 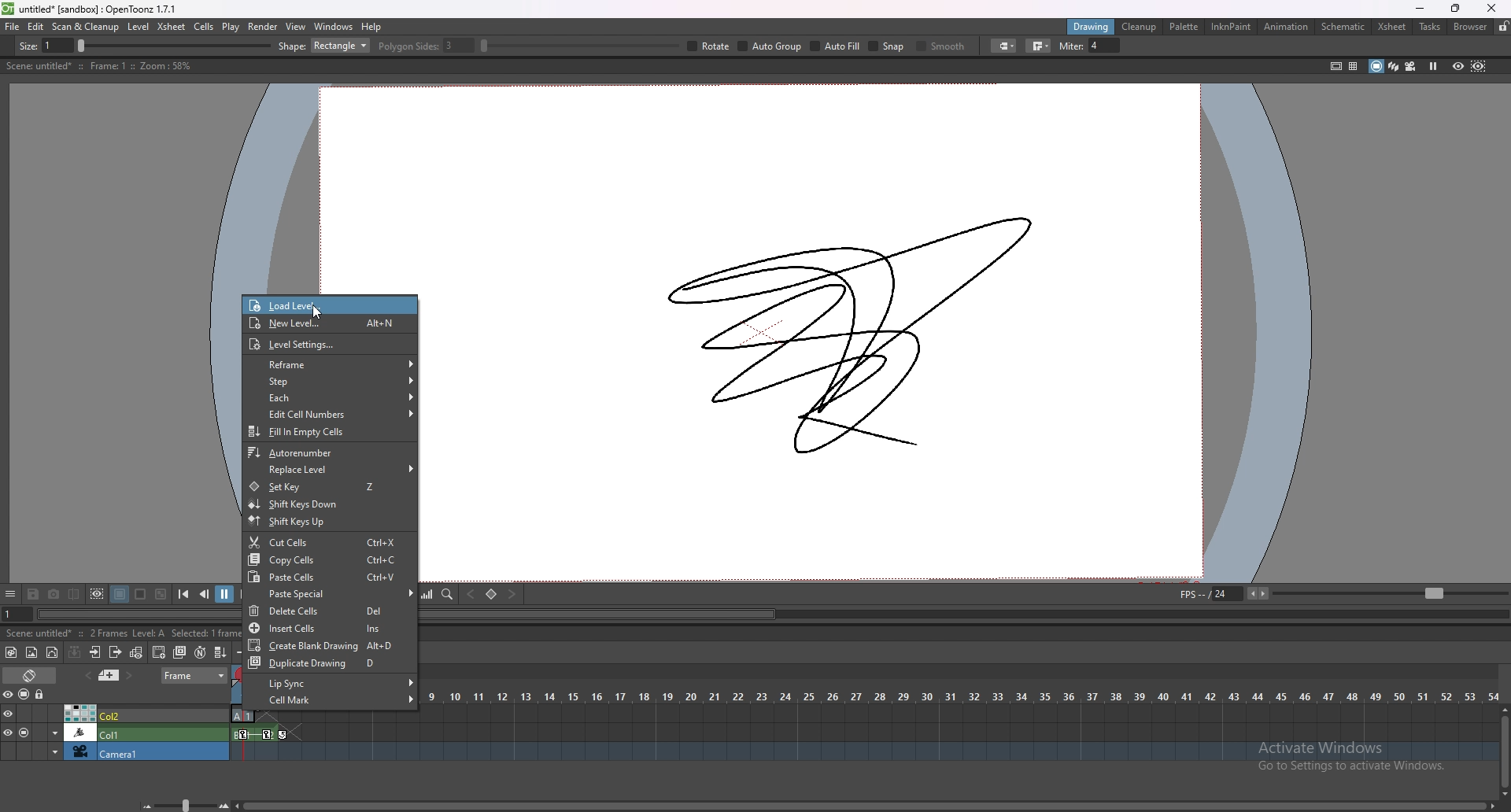 What do you see at coordinates (863, 752) in the screenshot?
I see `timeline` at bounding box center [863, 752].